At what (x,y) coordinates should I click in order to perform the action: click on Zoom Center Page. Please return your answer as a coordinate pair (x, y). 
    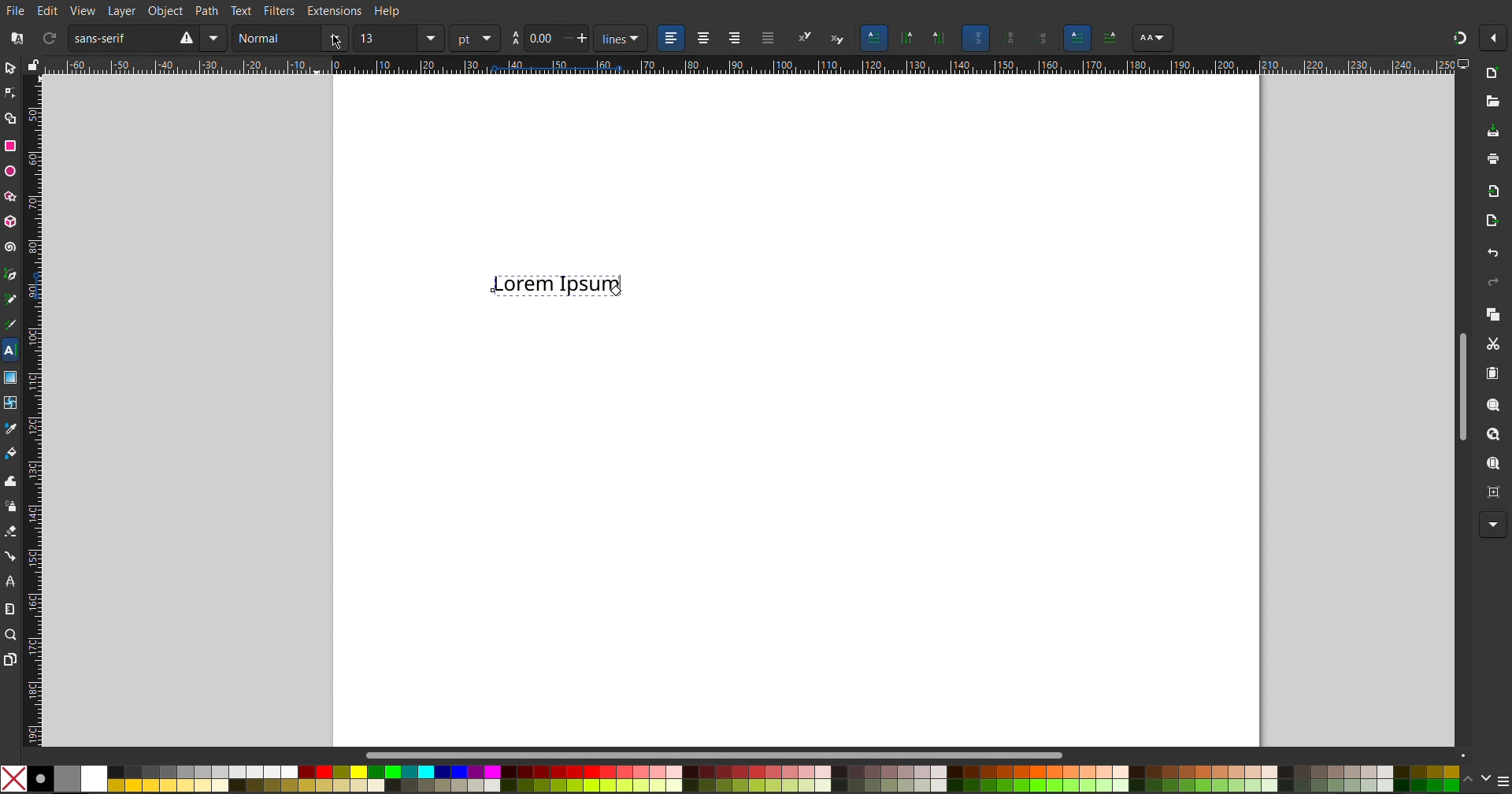
    Looking at the image, I should click on (1492, 491).